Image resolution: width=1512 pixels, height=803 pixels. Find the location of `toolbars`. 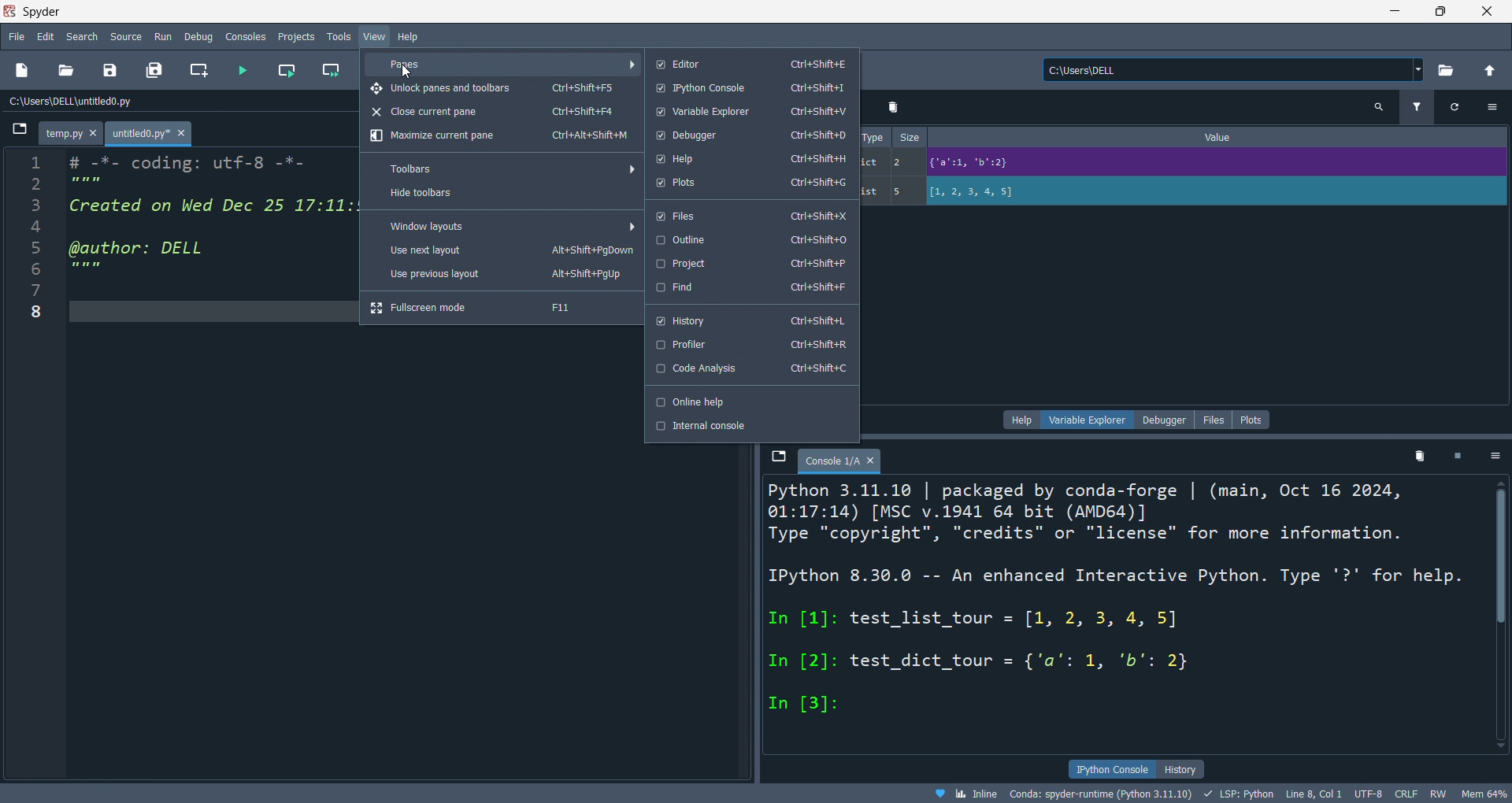

toolbars is located at coordinates (509, 168).